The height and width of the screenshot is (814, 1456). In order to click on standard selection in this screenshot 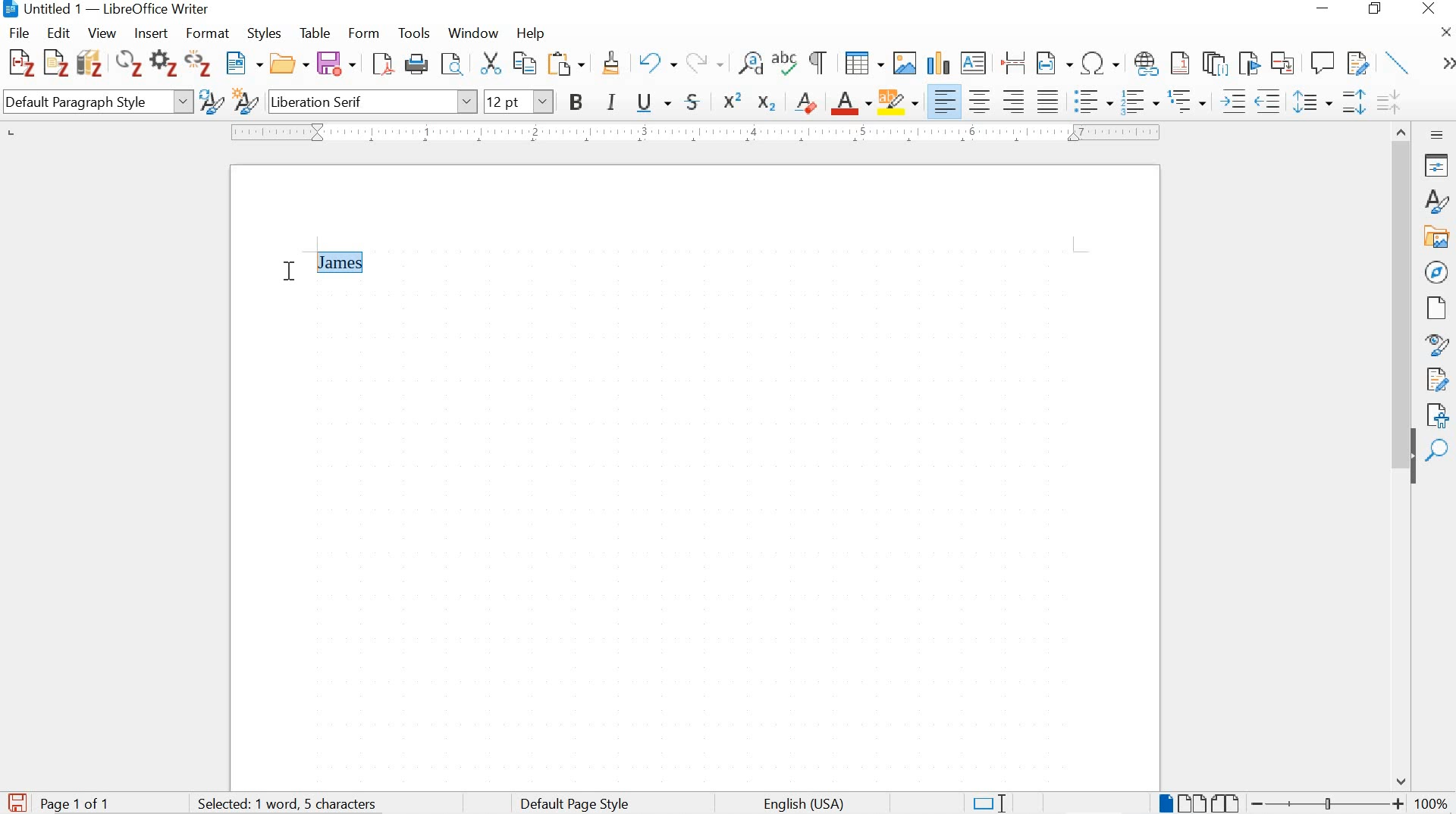, I will do `click(988, 802)`.